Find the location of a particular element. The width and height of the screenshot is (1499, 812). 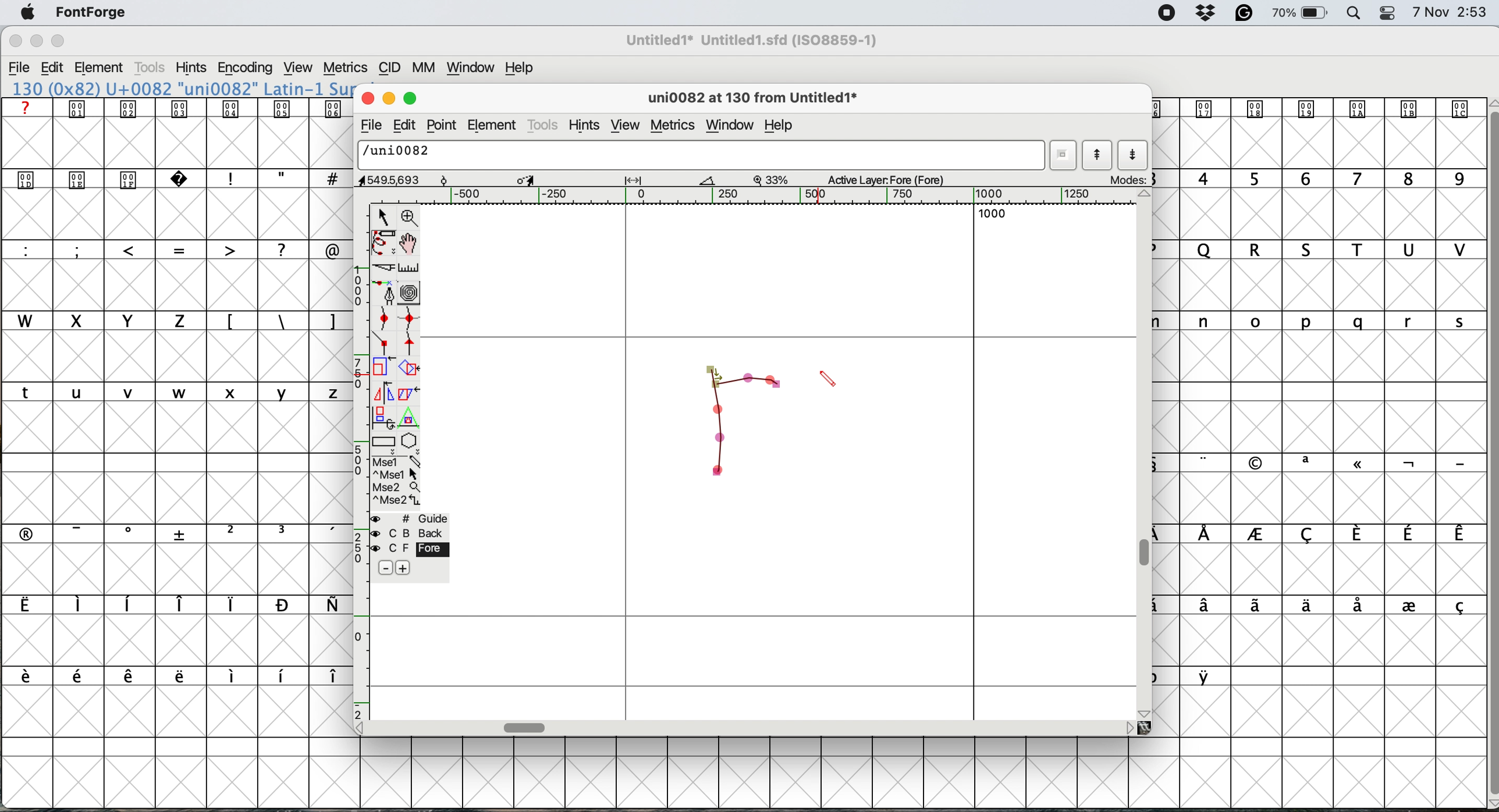

rectangle or box is located at coordinates (385, 444).